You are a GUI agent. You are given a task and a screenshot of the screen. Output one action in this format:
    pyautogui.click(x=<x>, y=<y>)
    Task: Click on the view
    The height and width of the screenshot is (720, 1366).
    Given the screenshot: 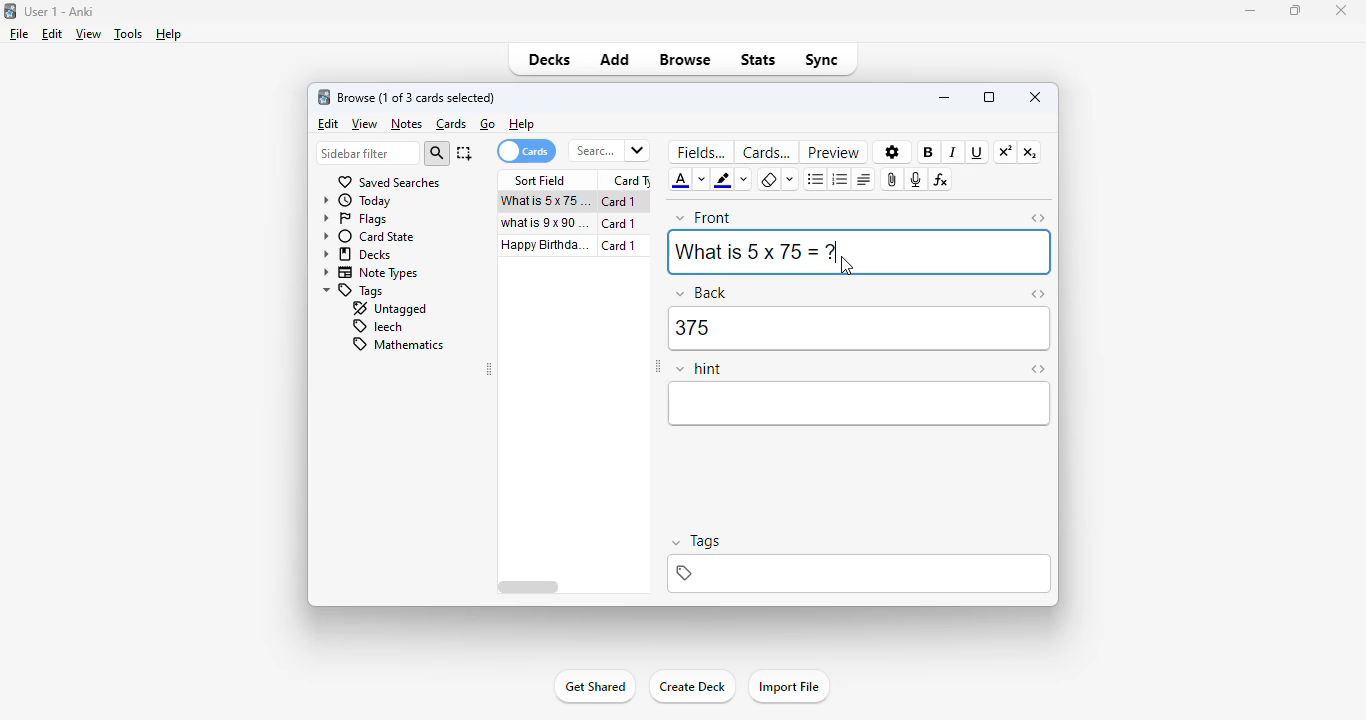 What is the action you would take?
    pyautogui.click(x=365, y=124)
    